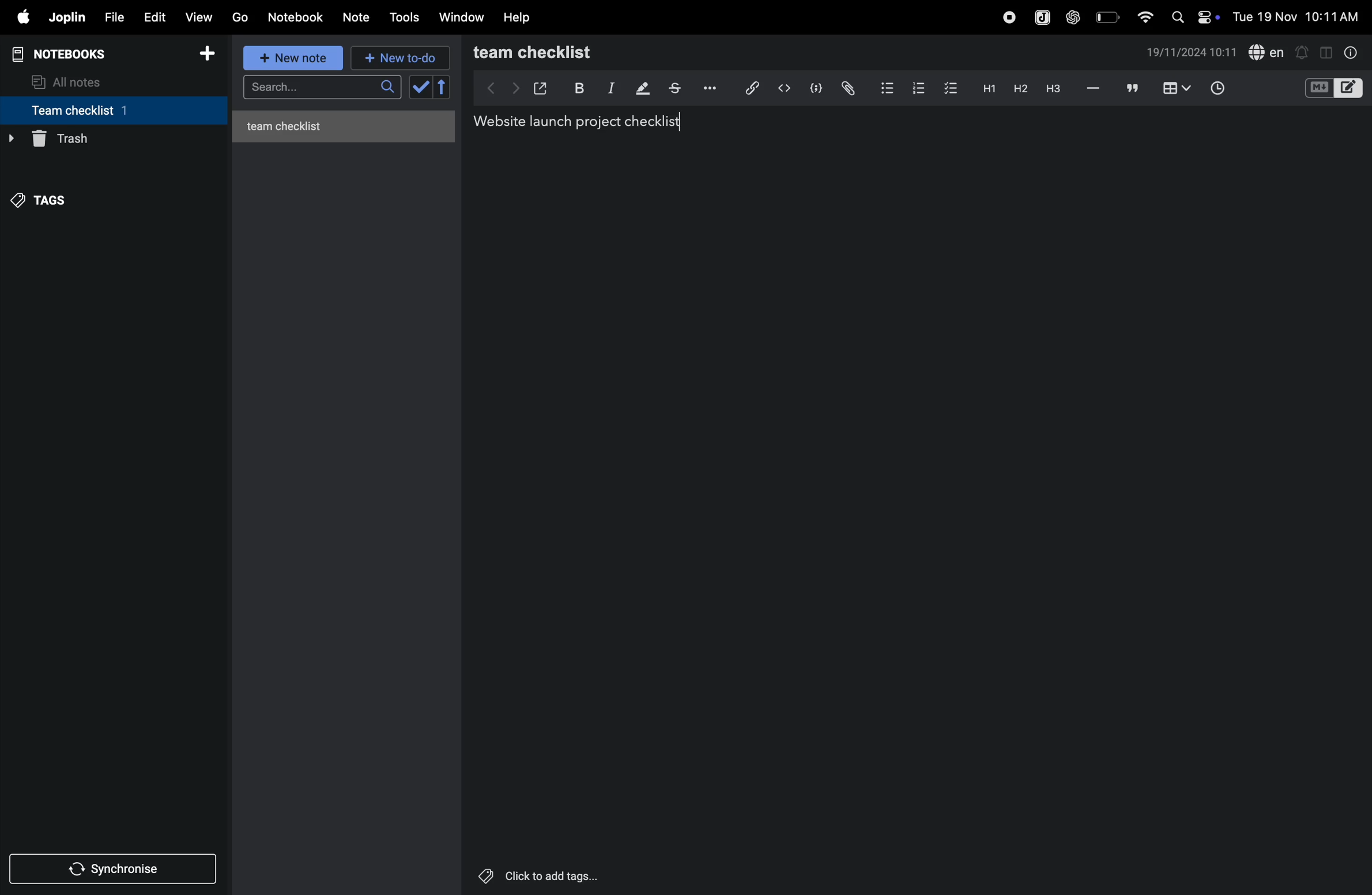 Image resolution: width=1372 pixels, height=895 pixels. What do you see at coordinates (708, 88) in the screenshot?
I see `options` at bounding box center [708, 88].